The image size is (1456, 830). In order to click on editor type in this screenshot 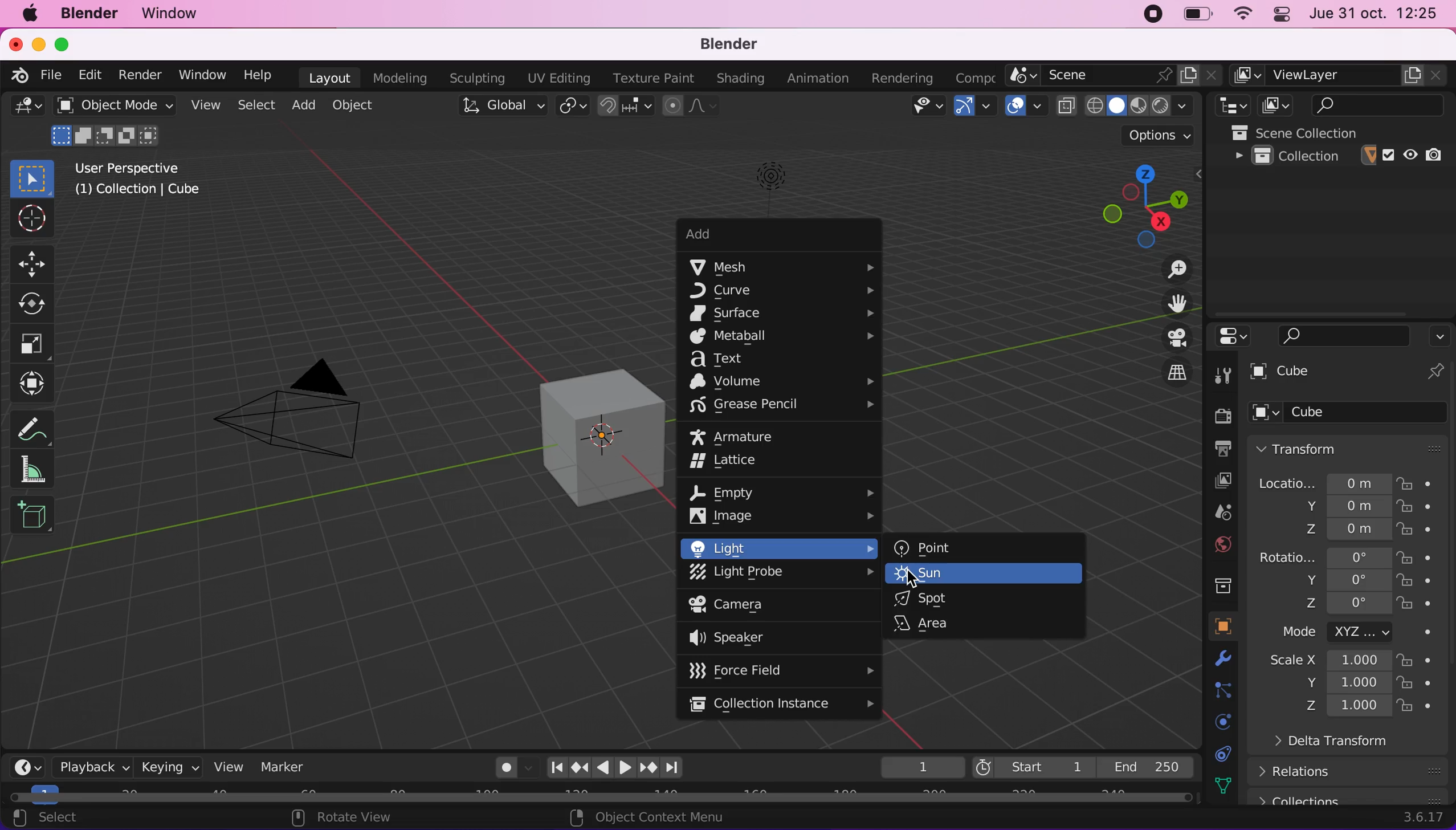, I will do `click(1229, 336)`.